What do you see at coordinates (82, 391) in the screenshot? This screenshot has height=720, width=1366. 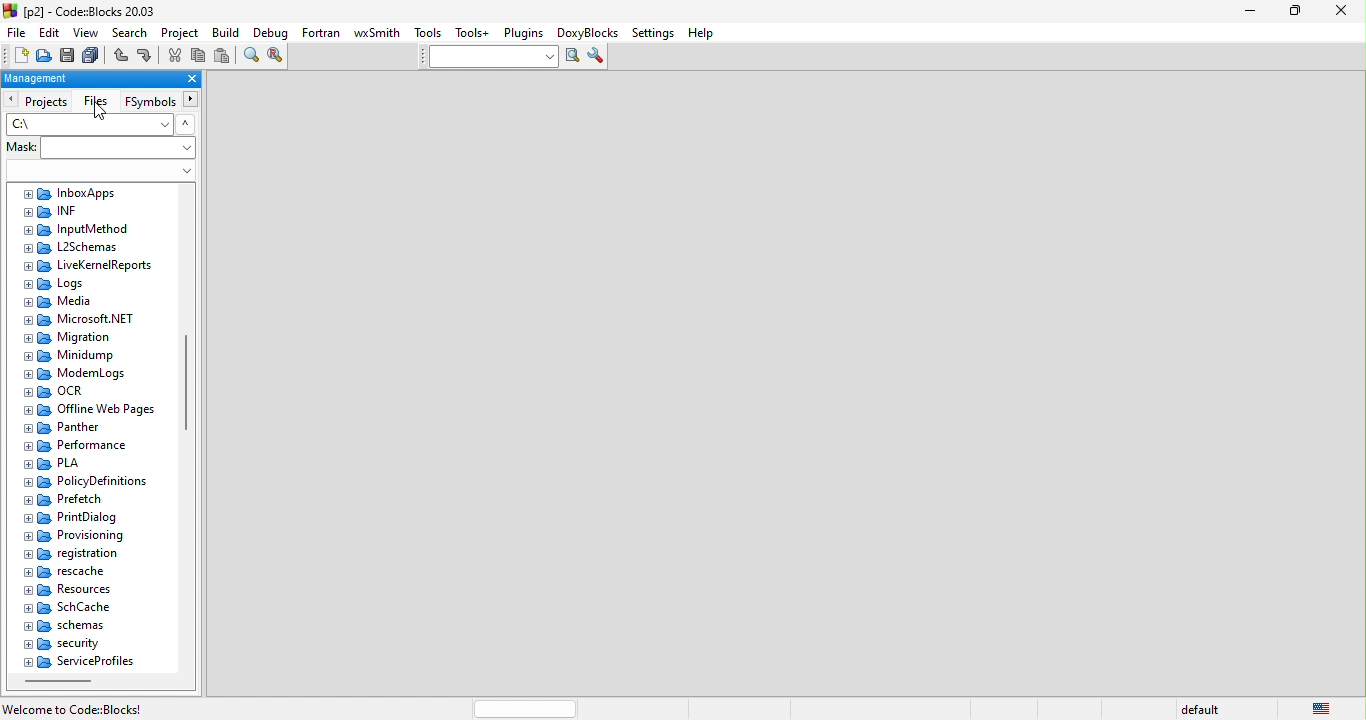 I see `ocr` at bounding box center [82, 391].